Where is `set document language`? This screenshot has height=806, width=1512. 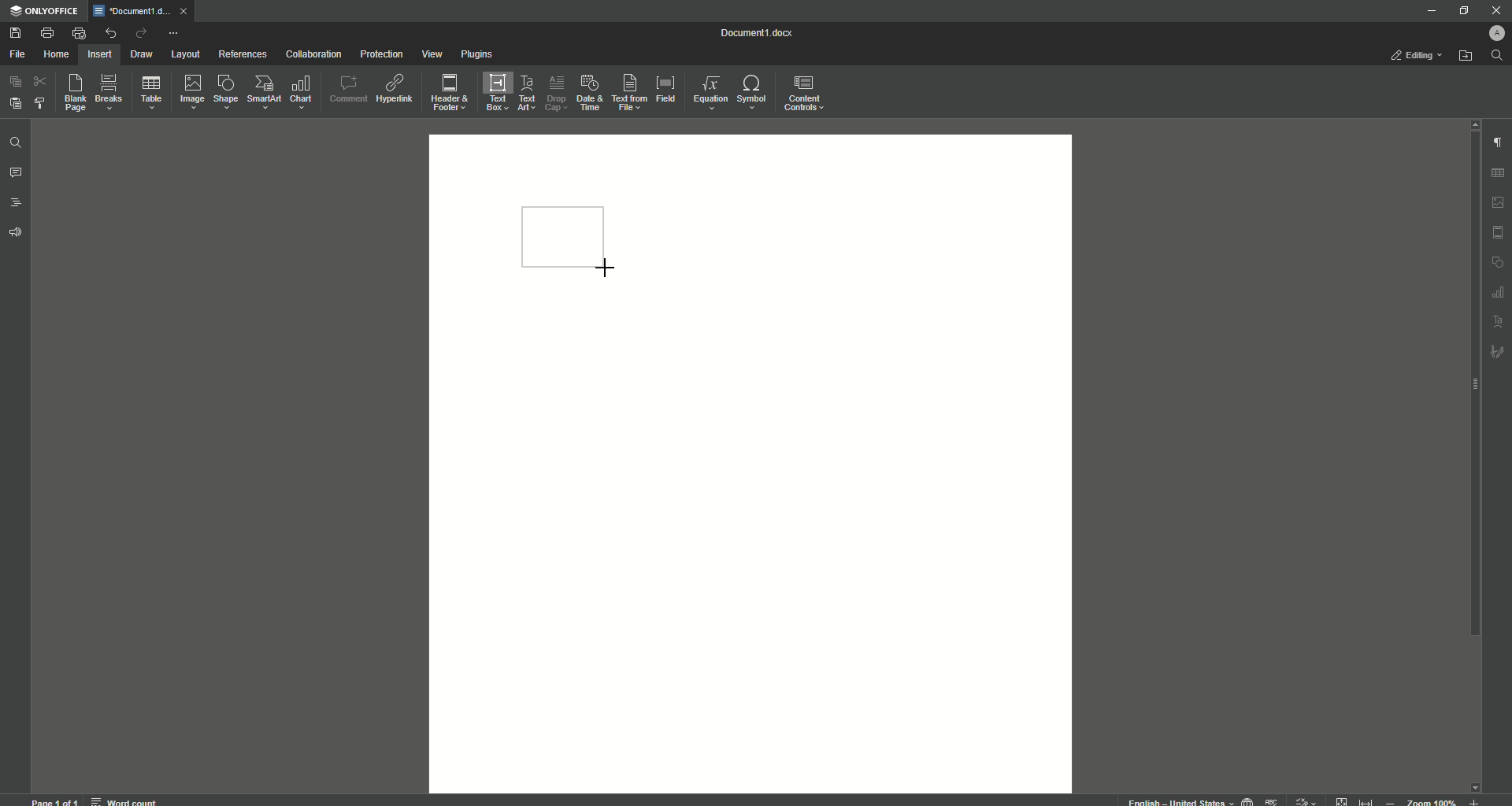 set document language is located at coordinates (1247, 800).